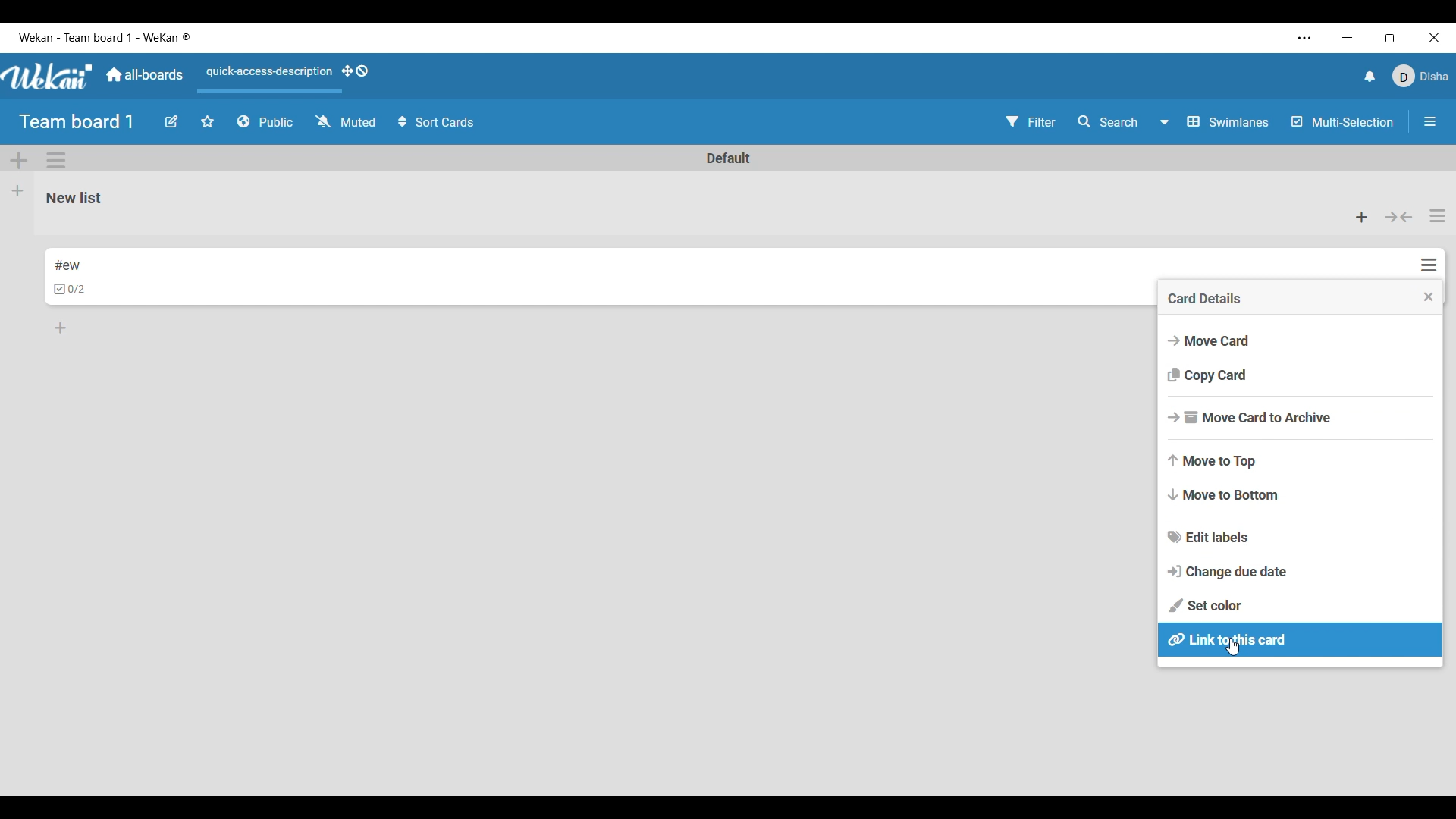 The image size is (1456, 819). Describe the element at coordinates (208, 121) in the screenshot. I see `Star board` at that location.